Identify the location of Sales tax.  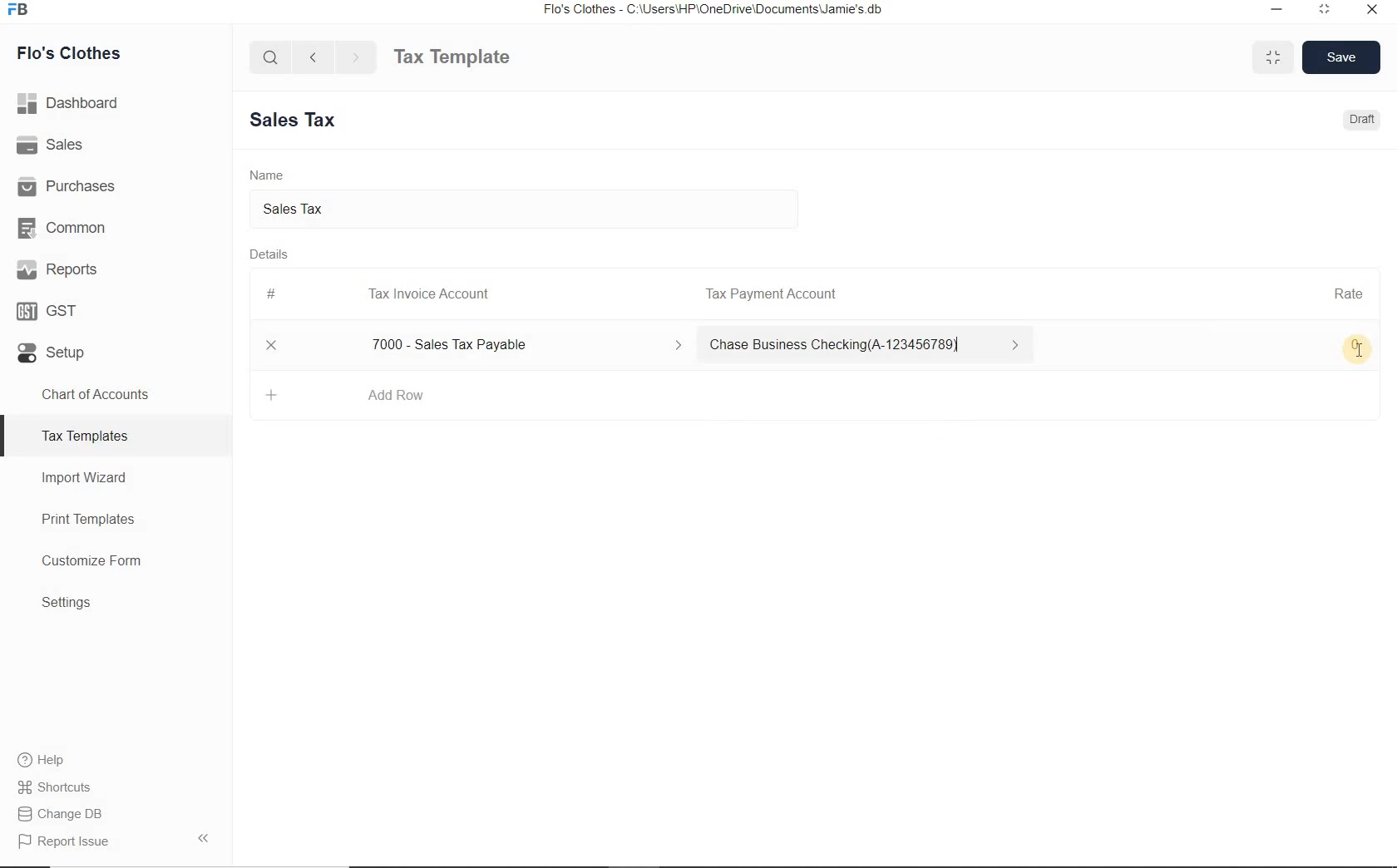
(521, 209).